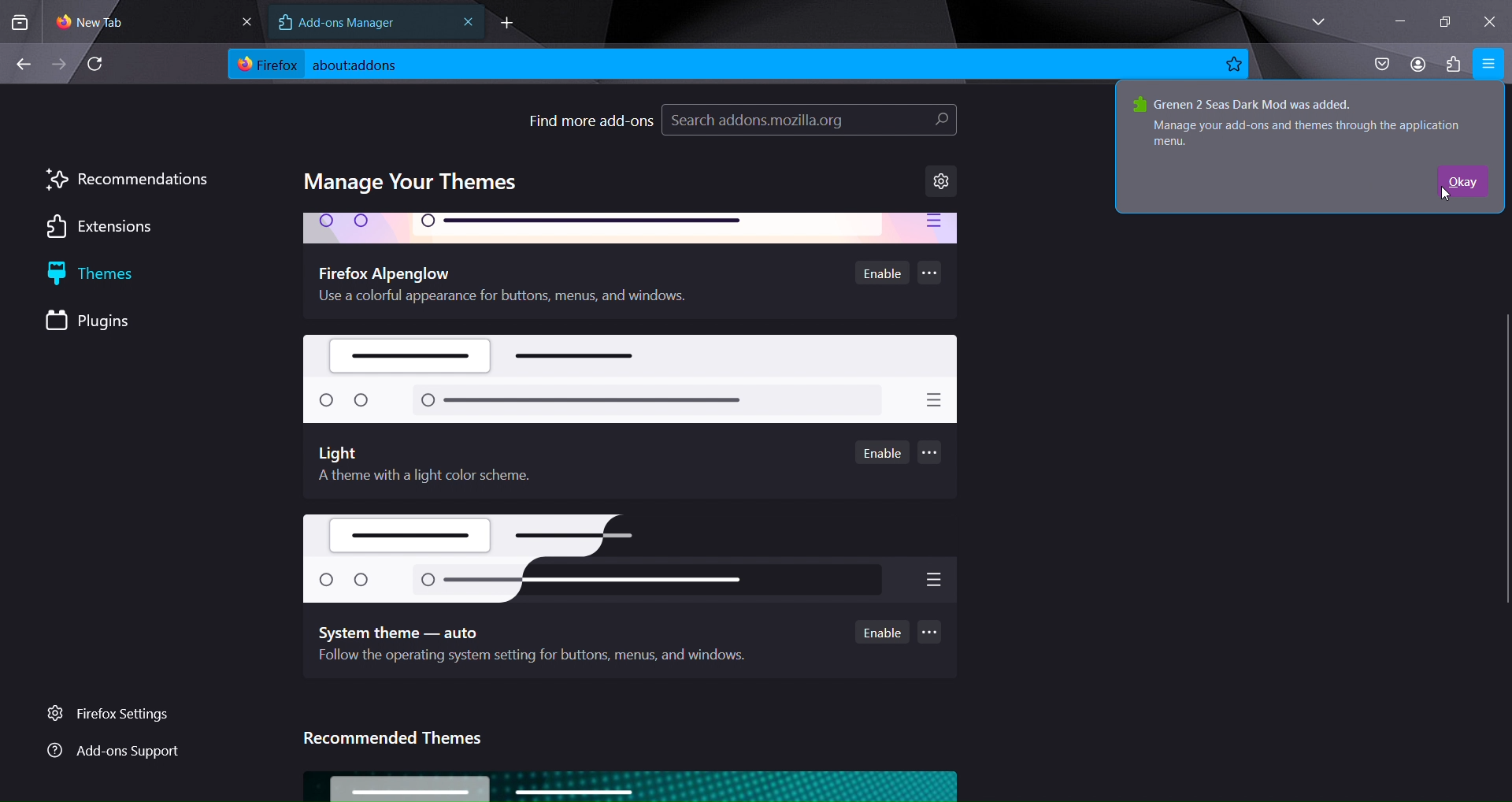  What do you see at coordinates (413, 466) in the screenshot?
I see `Light
A theme with a light color scheme.` at bounding box center [413, 466].